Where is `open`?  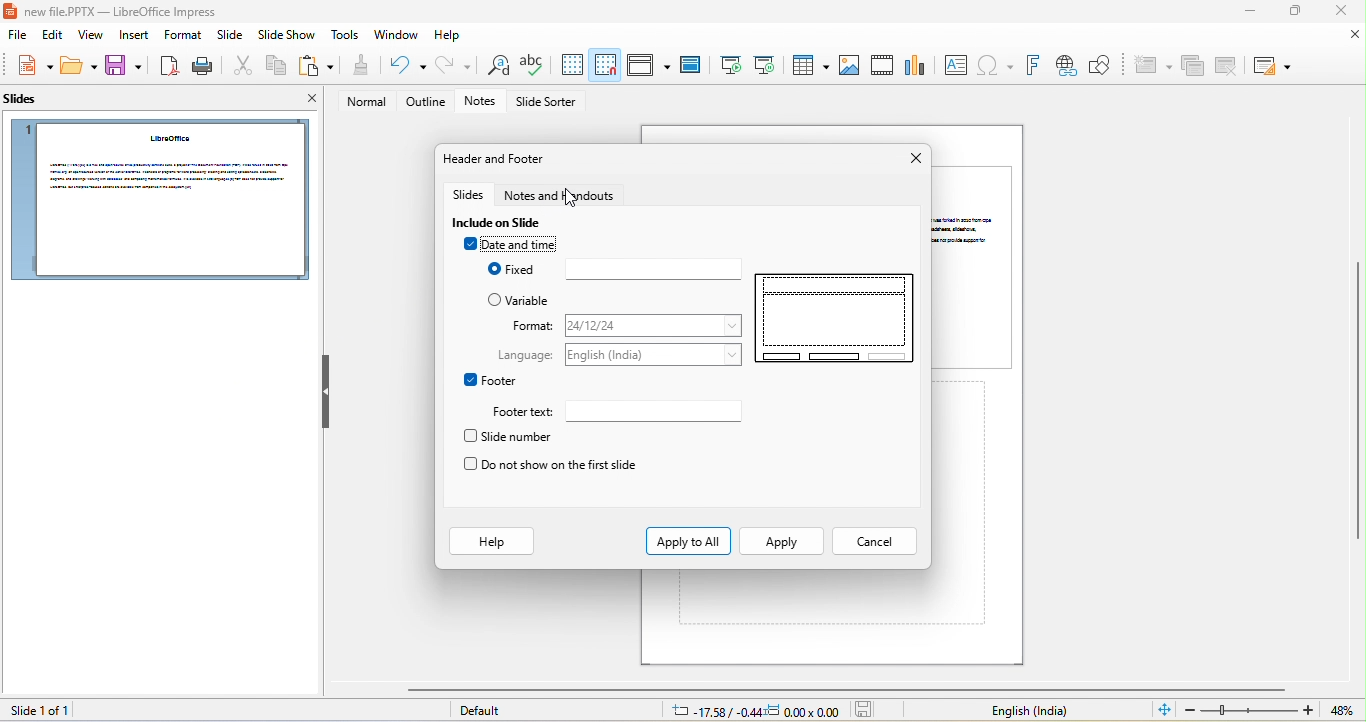
open is located at coordinates (80, 67).